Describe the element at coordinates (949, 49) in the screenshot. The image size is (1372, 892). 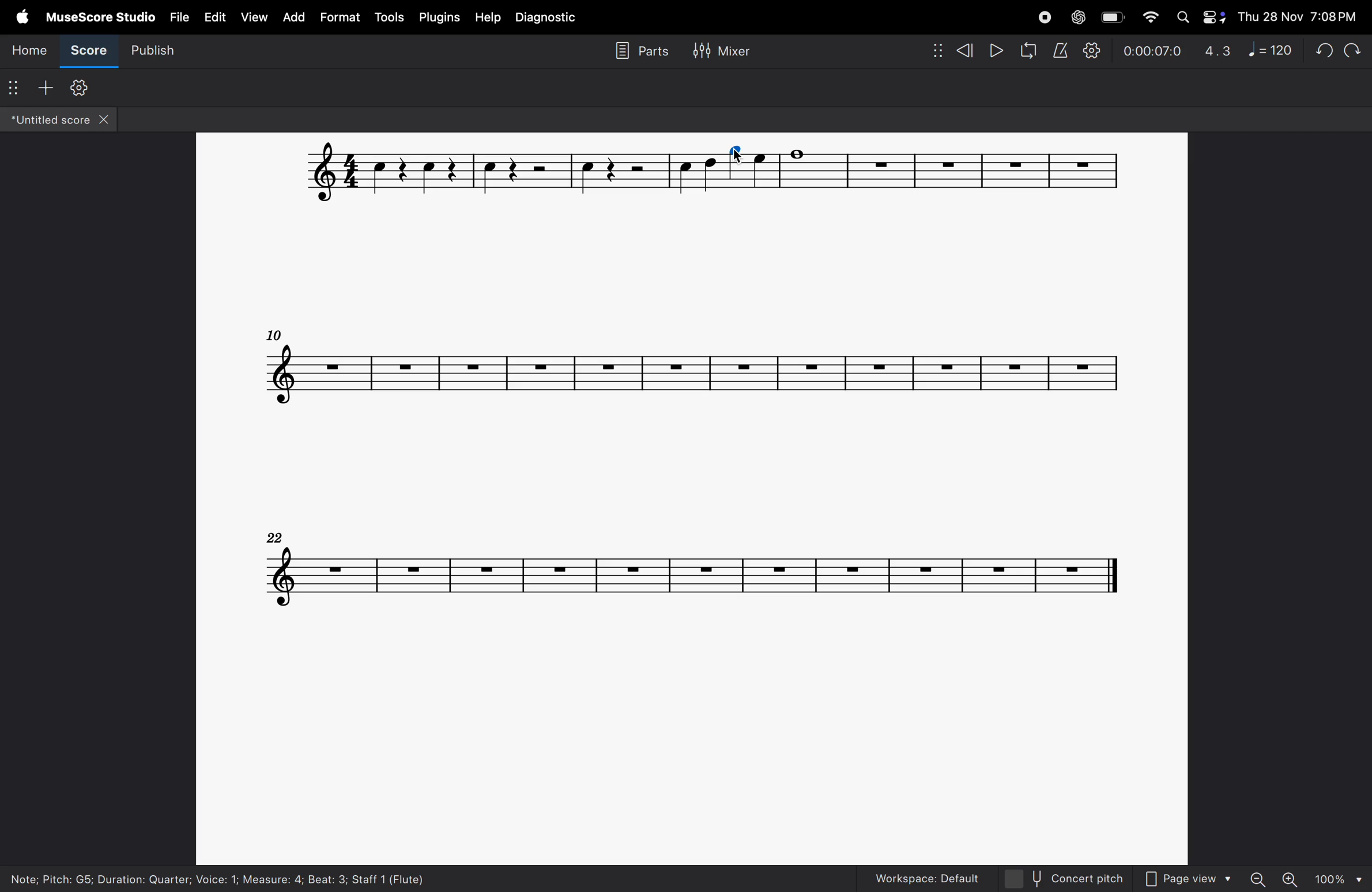
I see `rewind` at that location.